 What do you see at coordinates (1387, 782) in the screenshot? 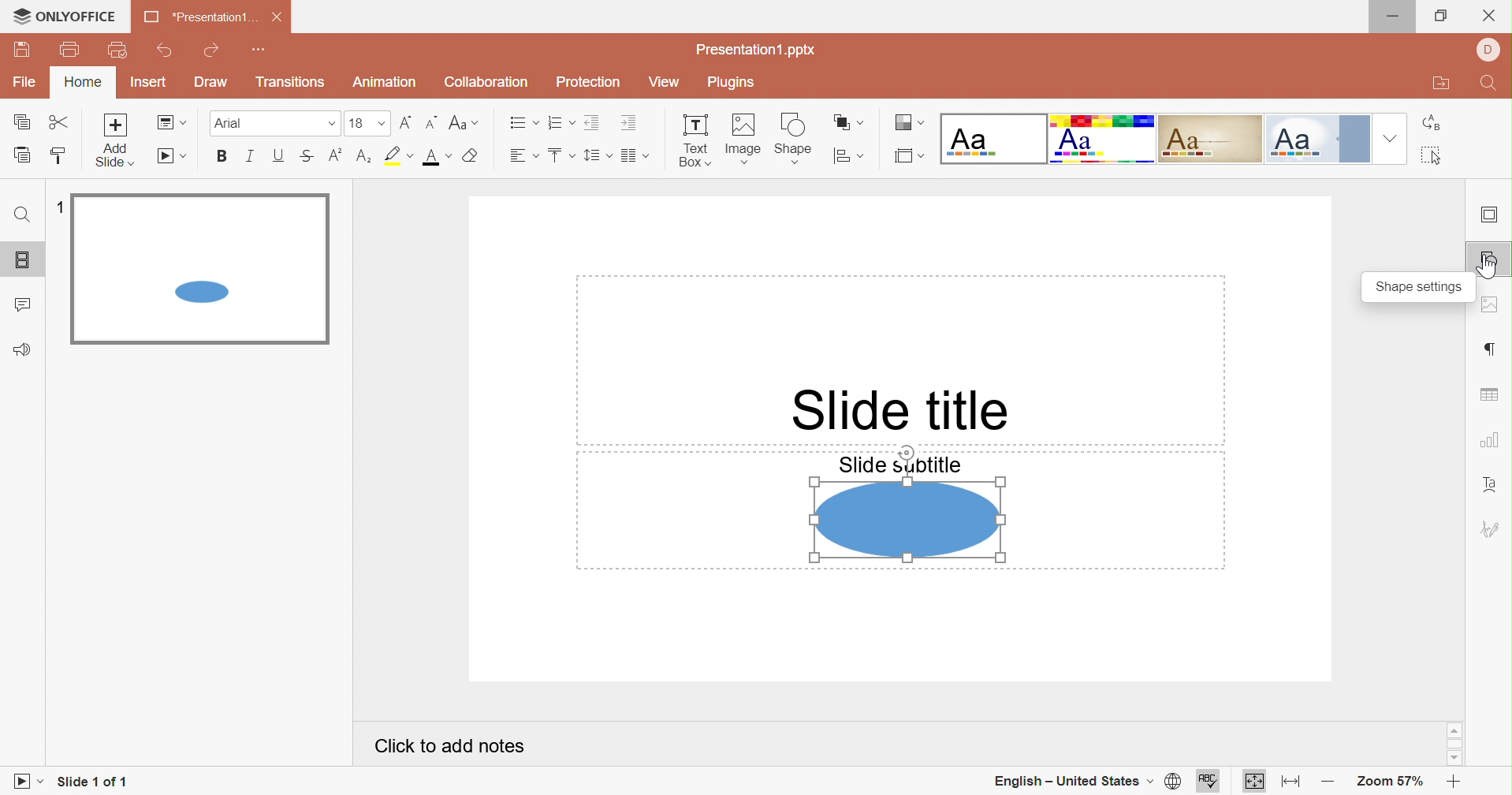
I see `Zoom 67%` at bounding box center [1387, 782].